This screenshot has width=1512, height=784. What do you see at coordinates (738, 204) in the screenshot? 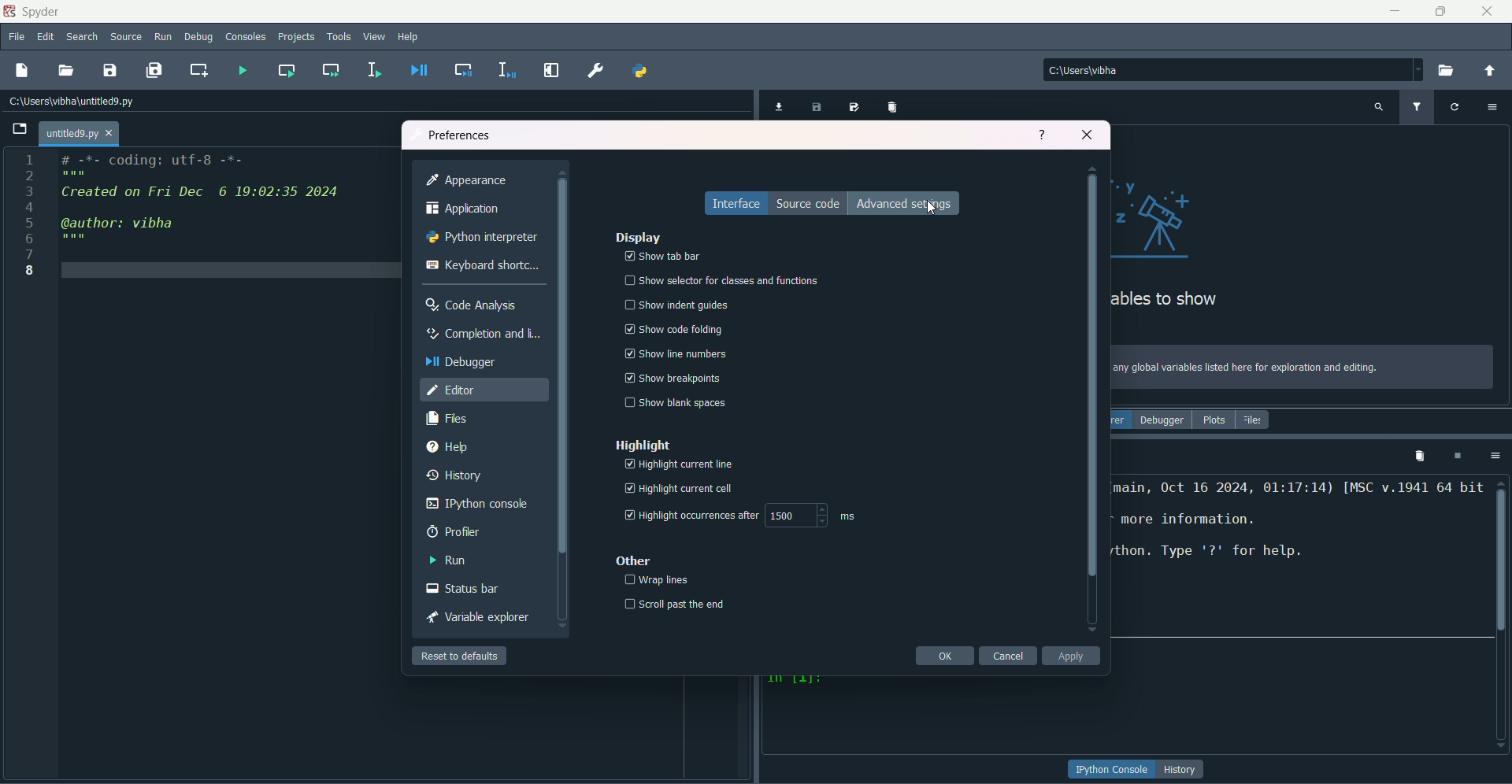
I see `interface` at bounding box center [738, 204].